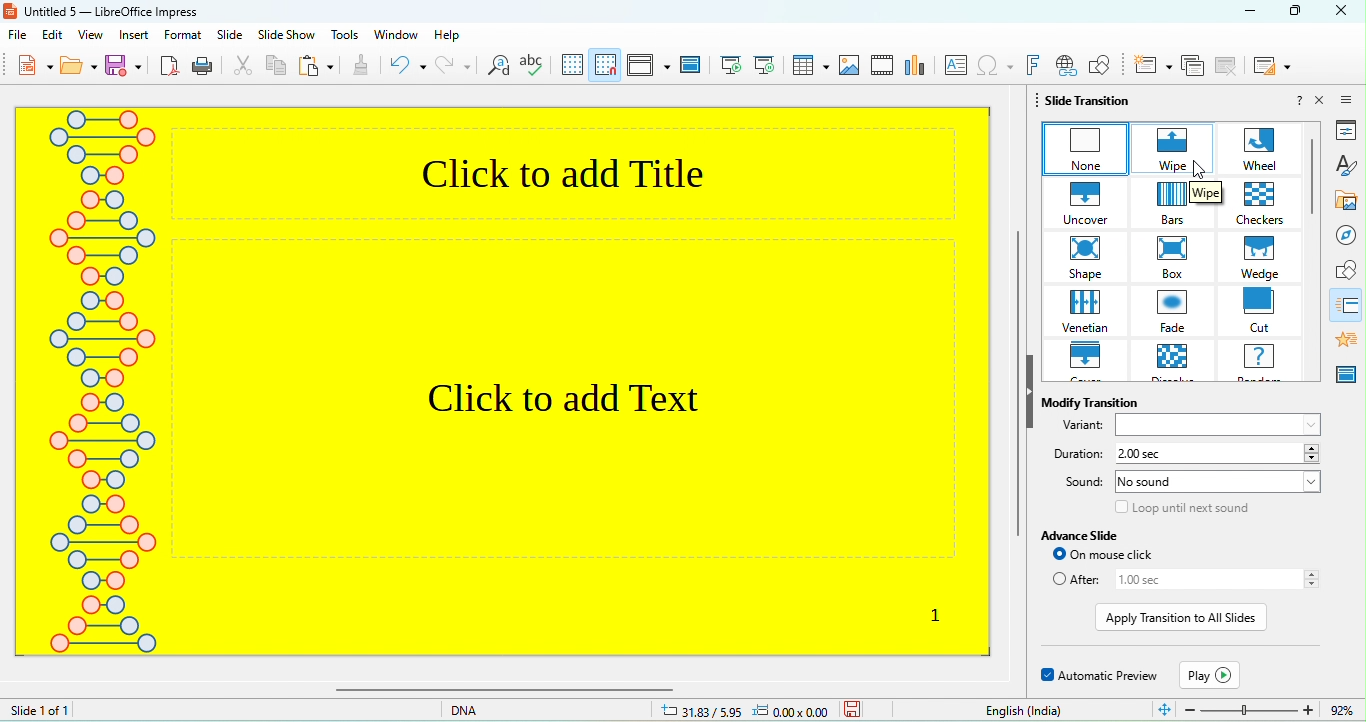 The height and width of the screenshot is (722, 1366). I want to click on display view, so click(648, 66).